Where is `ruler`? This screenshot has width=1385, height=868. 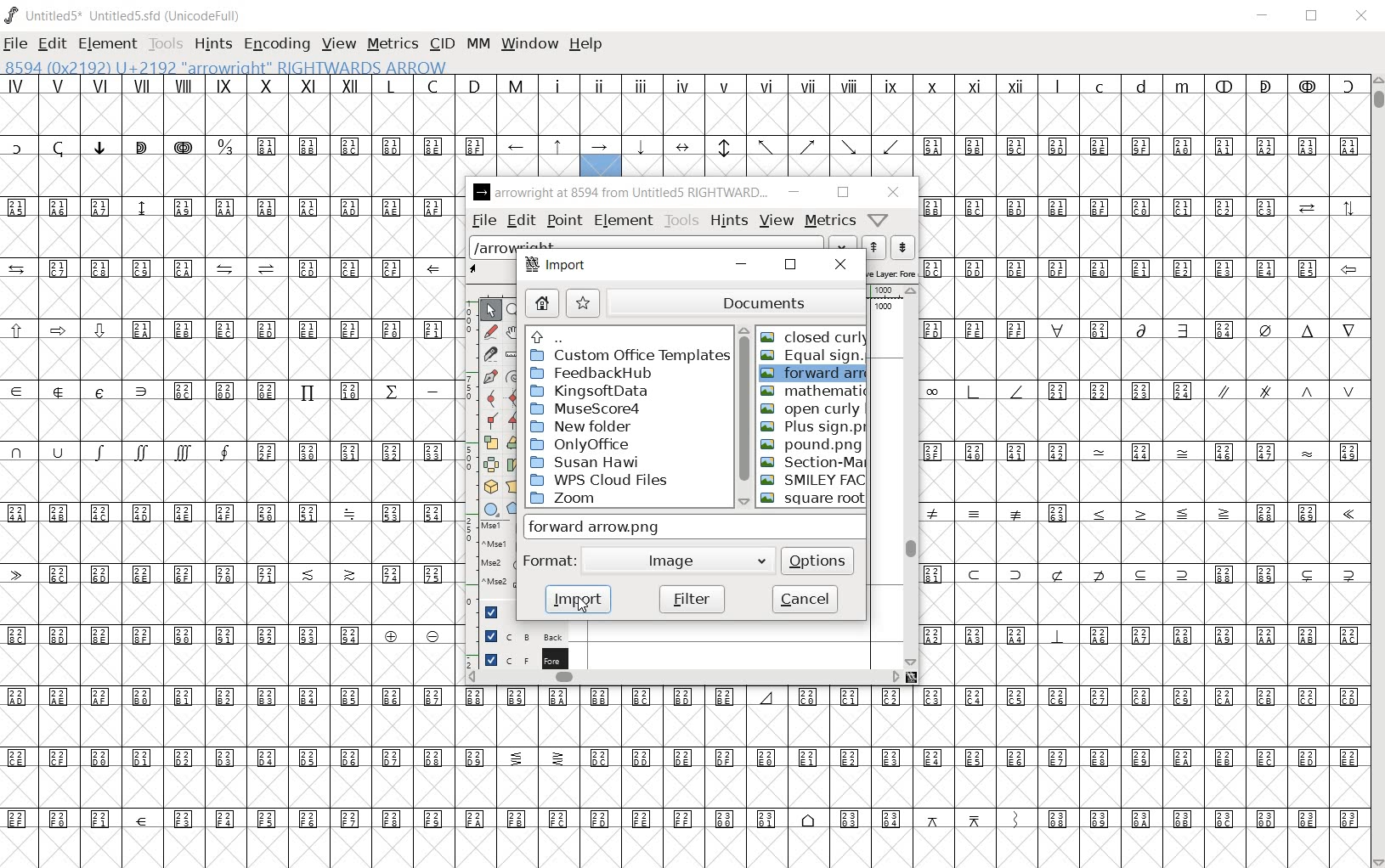 ruler is located at coordinates (885, 293).